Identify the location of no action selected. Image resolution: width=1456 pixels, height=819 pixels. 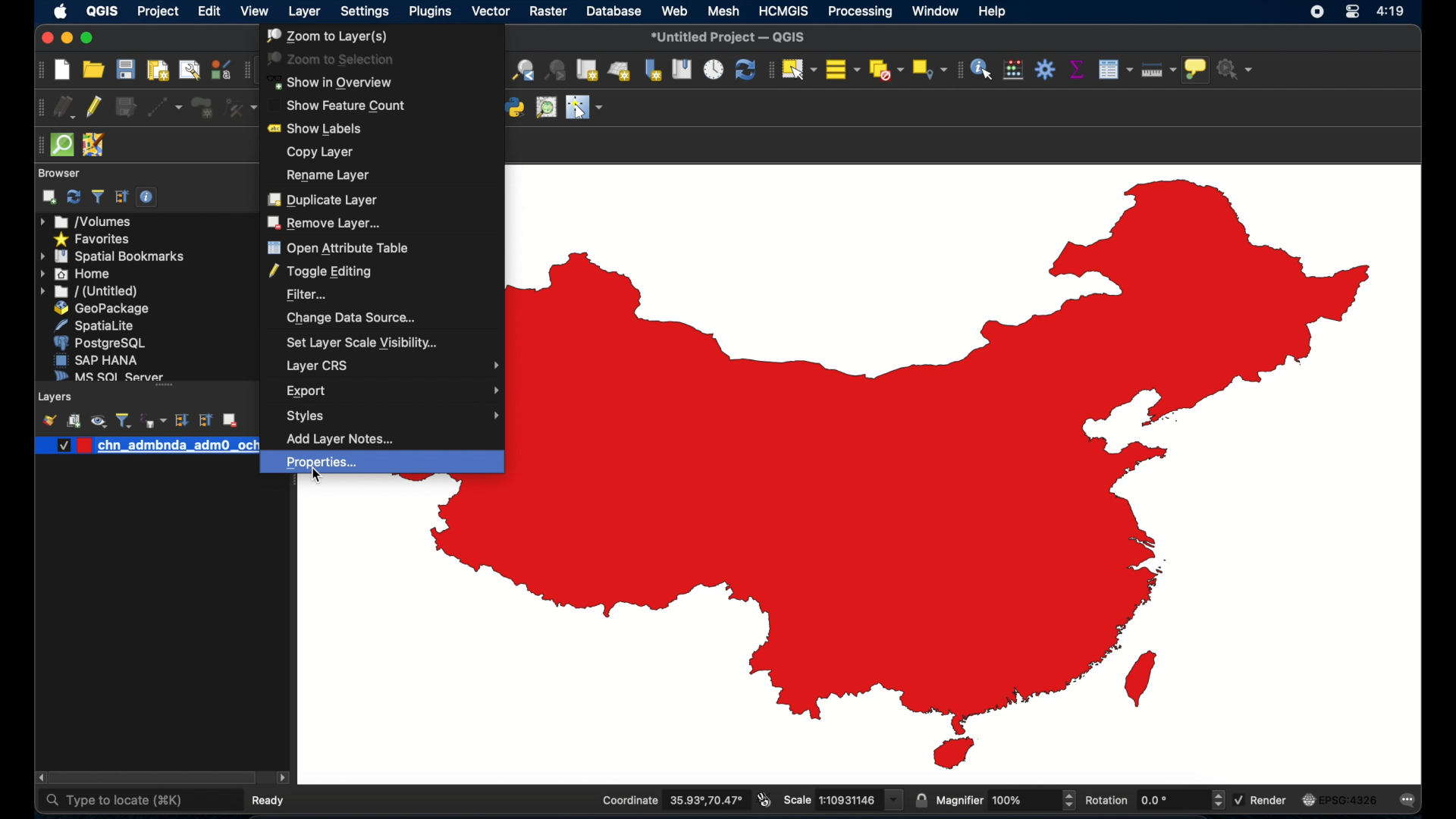
(1238, 68).